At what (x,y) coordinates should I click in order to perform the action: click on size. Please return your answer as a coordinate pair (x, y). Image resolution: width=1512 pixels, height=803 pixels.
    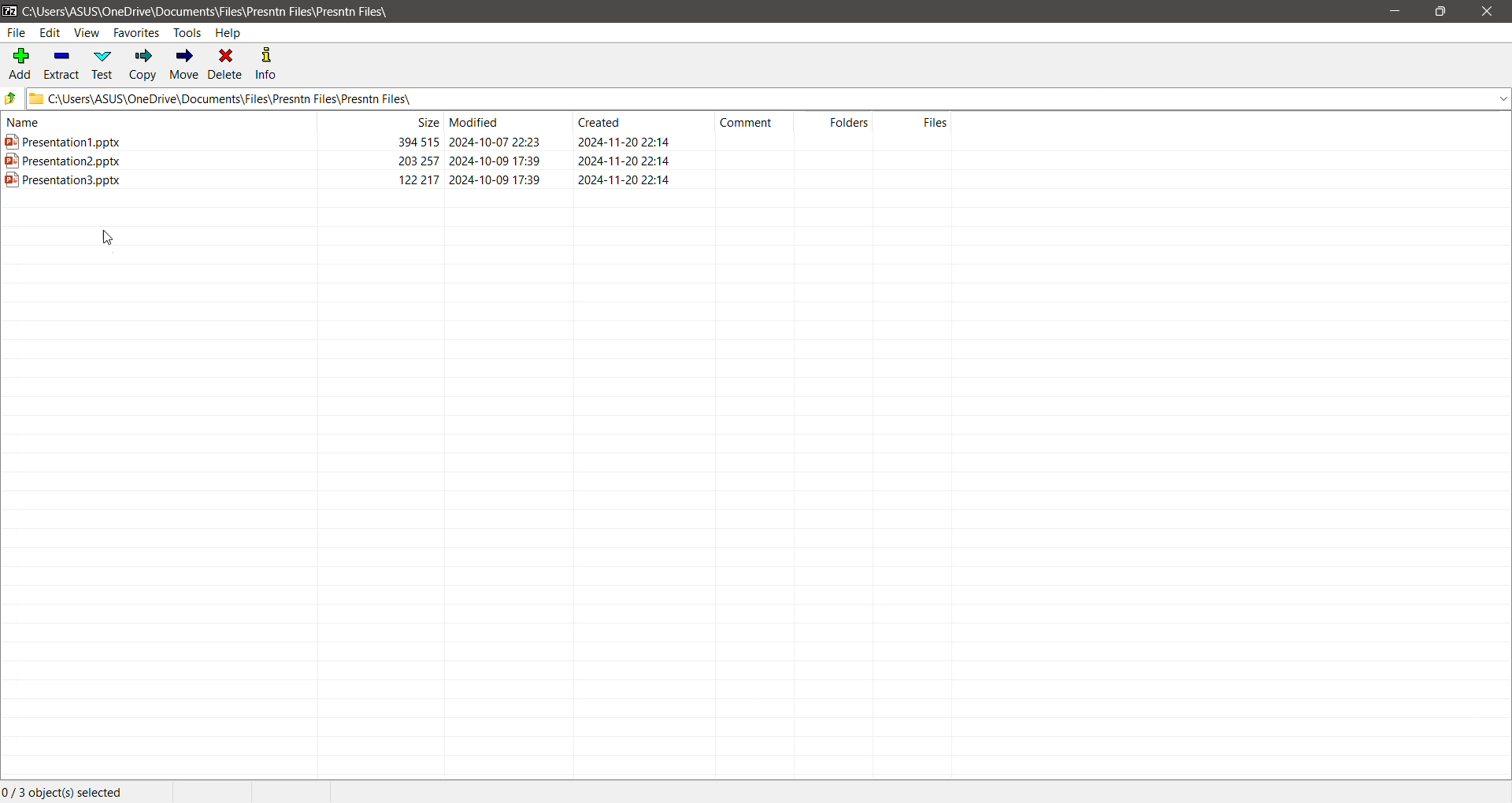
    Looking at the image, I should click on (418, 179).